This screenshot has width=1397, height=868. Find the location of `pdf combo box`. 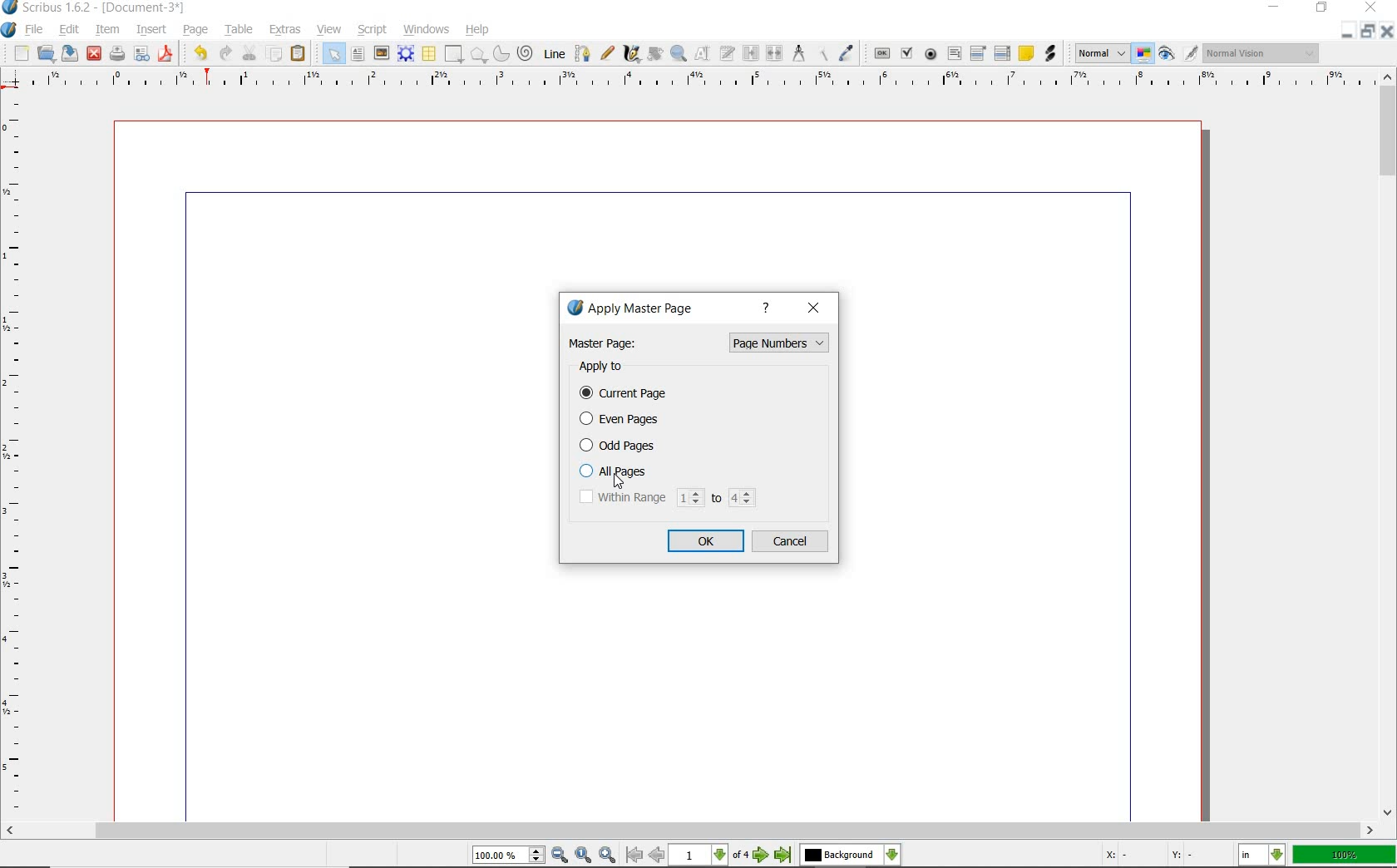

pdf combo box is located at coordinates (979, 52).